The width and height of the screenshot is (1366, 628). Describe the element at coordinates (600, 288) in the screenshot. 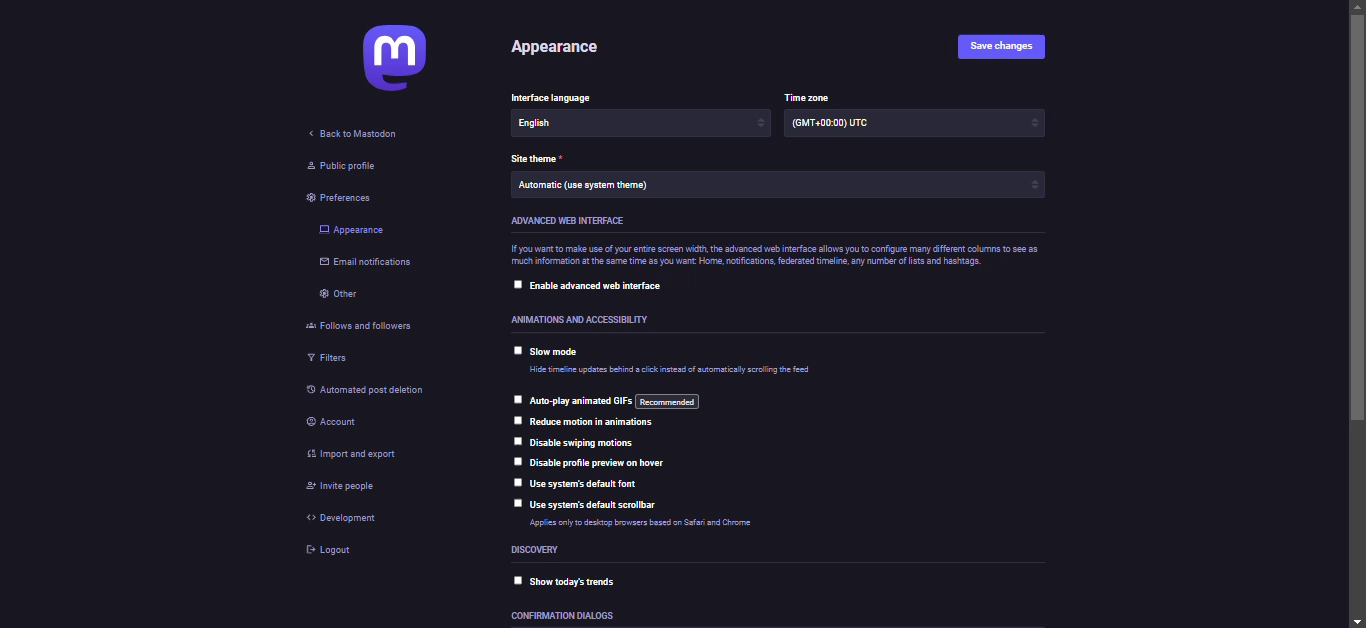

I see `enable advanced web interface` at that location.